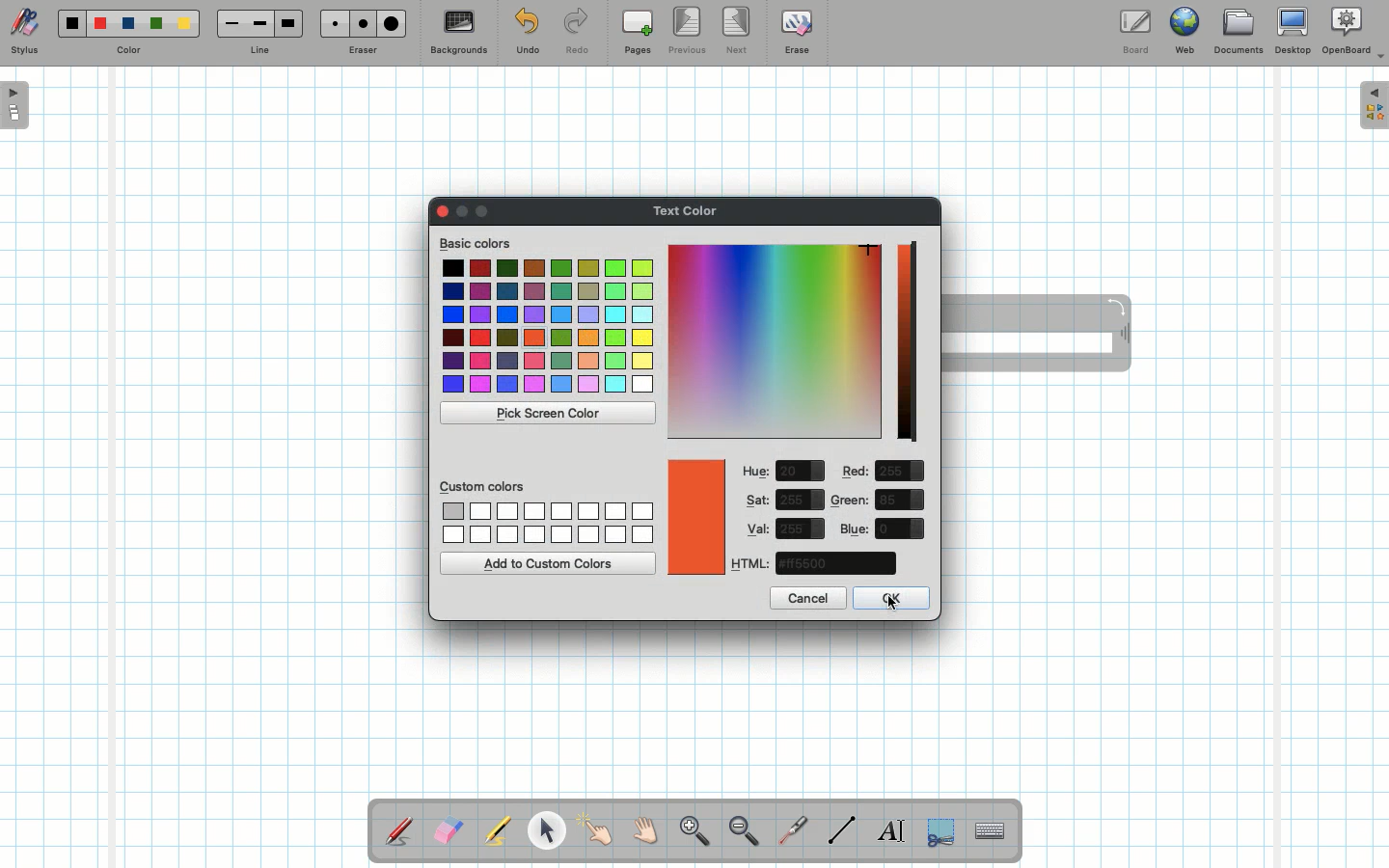  Describe the element at coordinates (548, 328) in the screenshot. I see `Colors` at that location.